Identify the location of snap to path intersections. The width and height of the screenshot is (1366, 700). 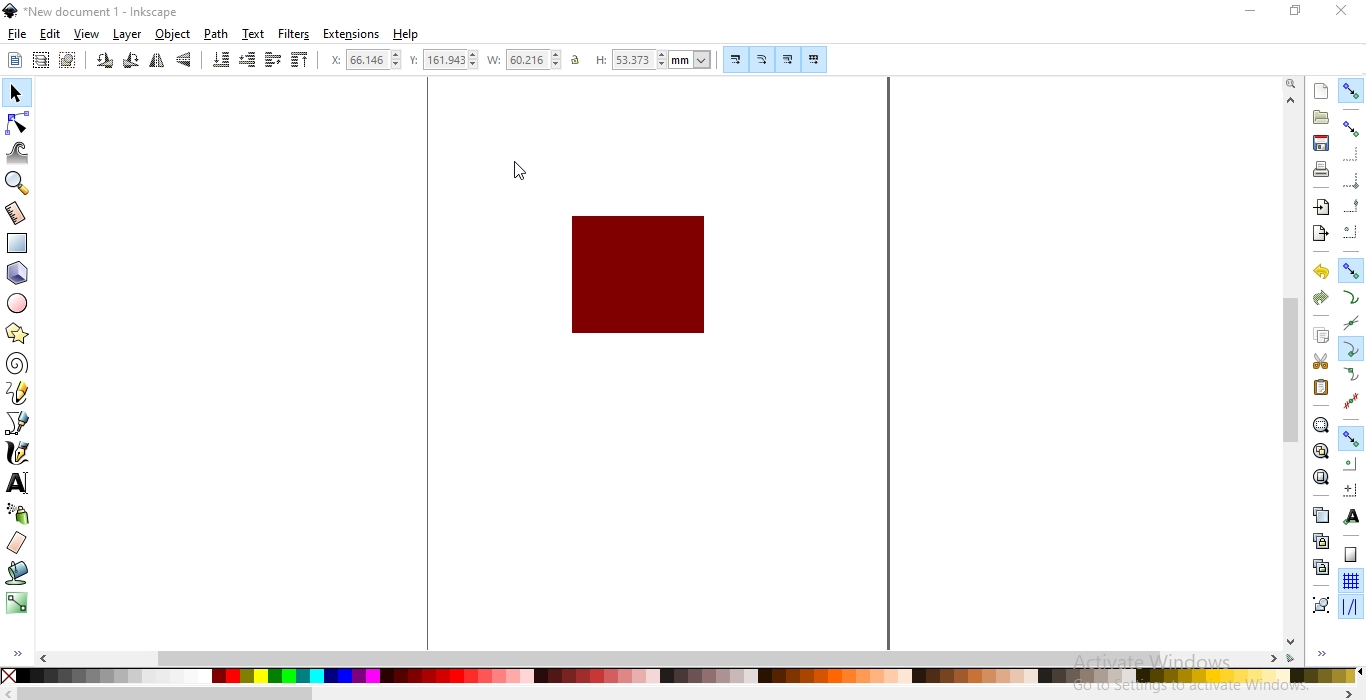
(1350, 324).